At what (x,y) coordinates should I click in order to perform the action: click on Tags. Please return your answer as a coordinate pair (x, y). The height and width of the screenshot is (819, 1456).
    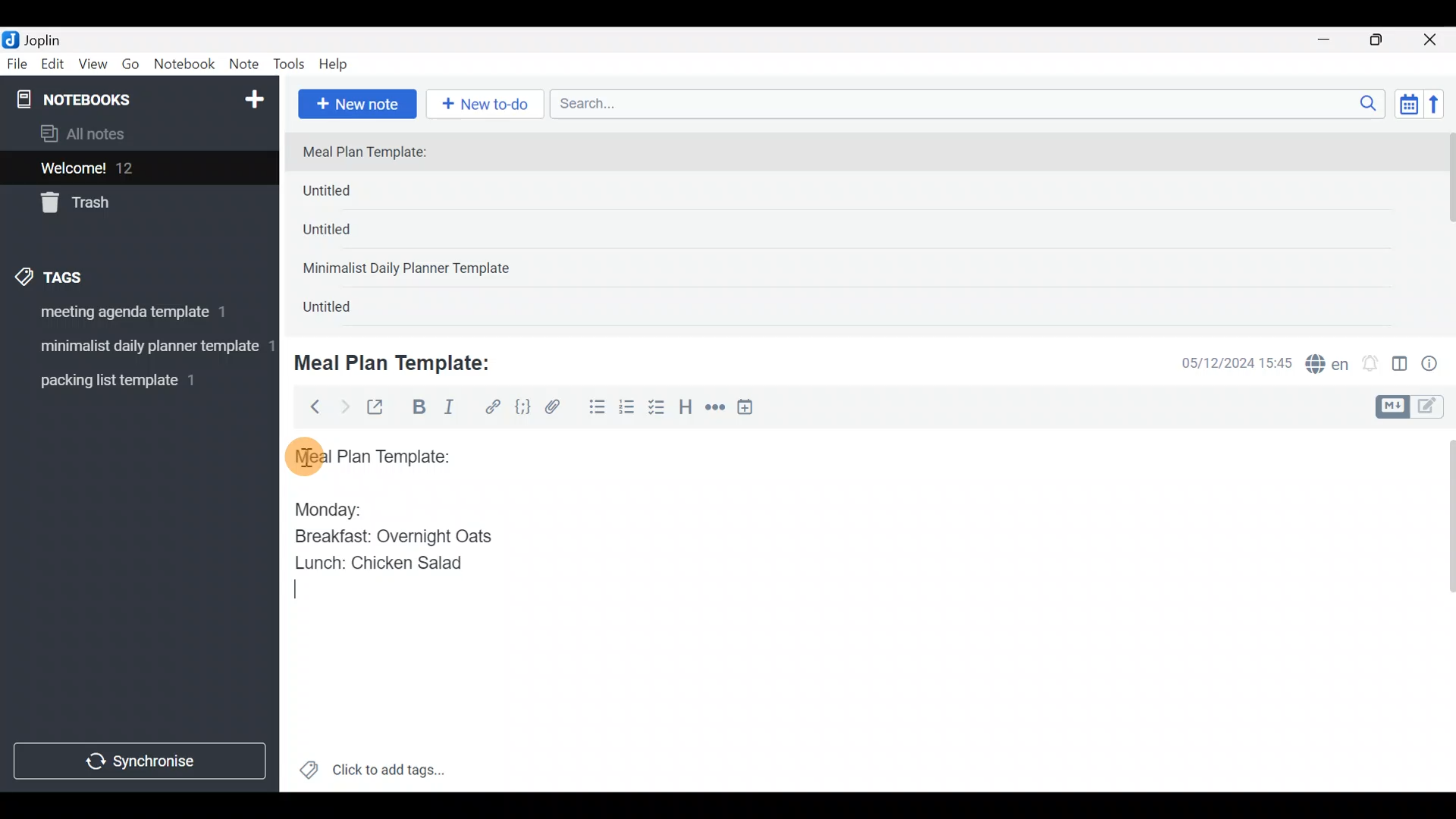
    Looking at the image, I should click on (85, 275).